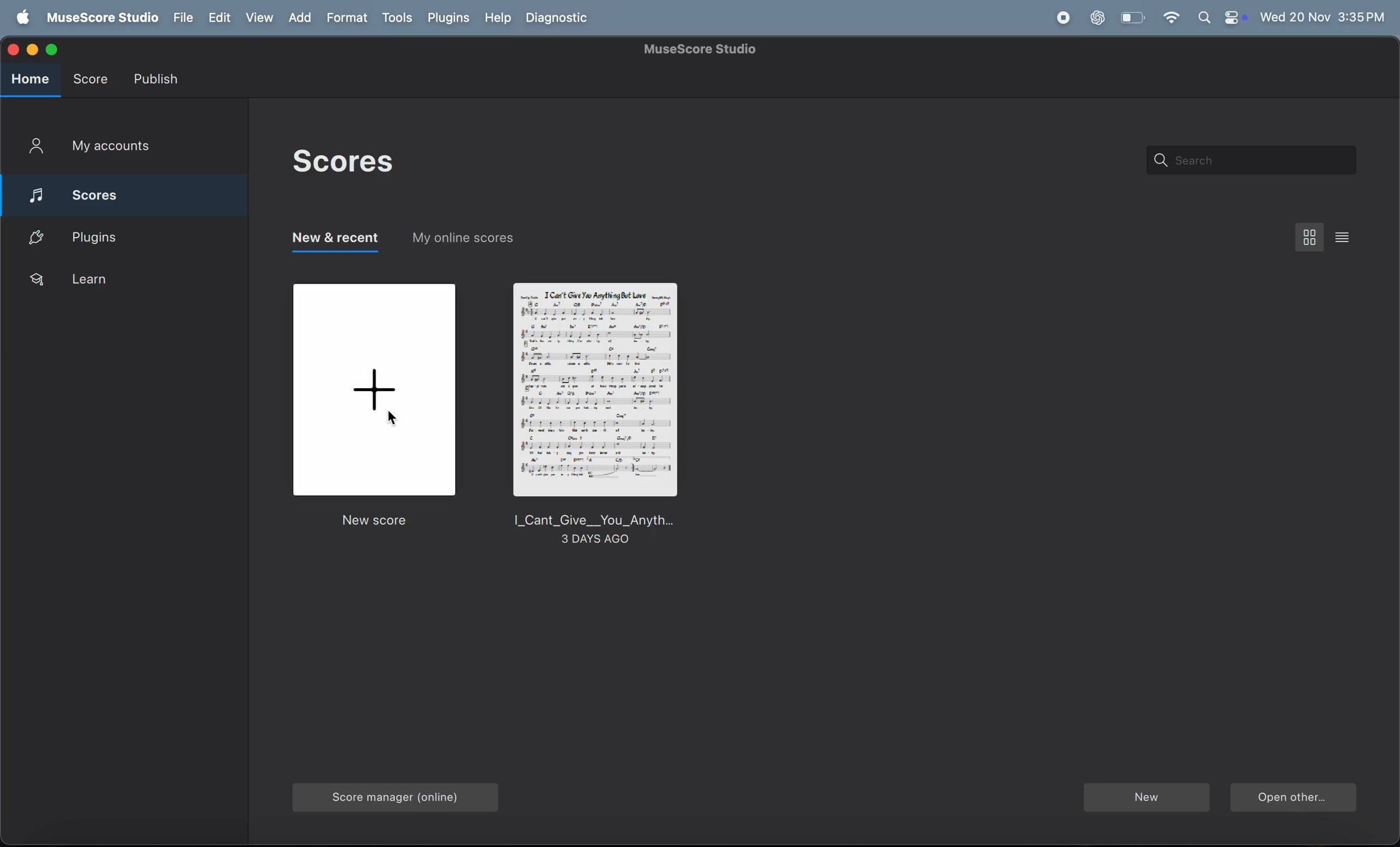 Image resolution: width=1400 pixels, height=847 pixels. I want to click on view, so click(261, 18).